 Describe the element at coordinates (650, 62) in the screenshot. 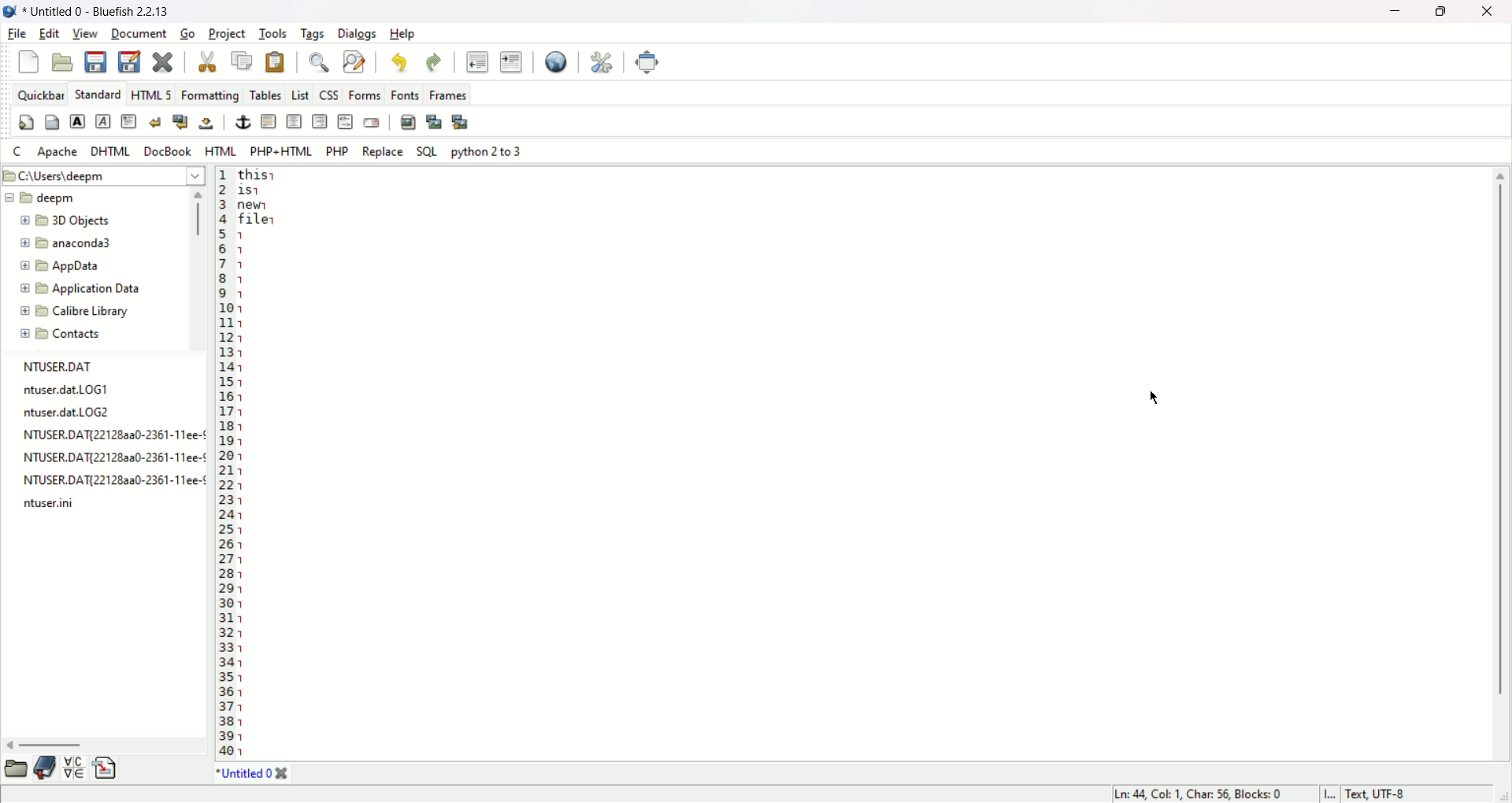

I see `fullscreen` at that location.